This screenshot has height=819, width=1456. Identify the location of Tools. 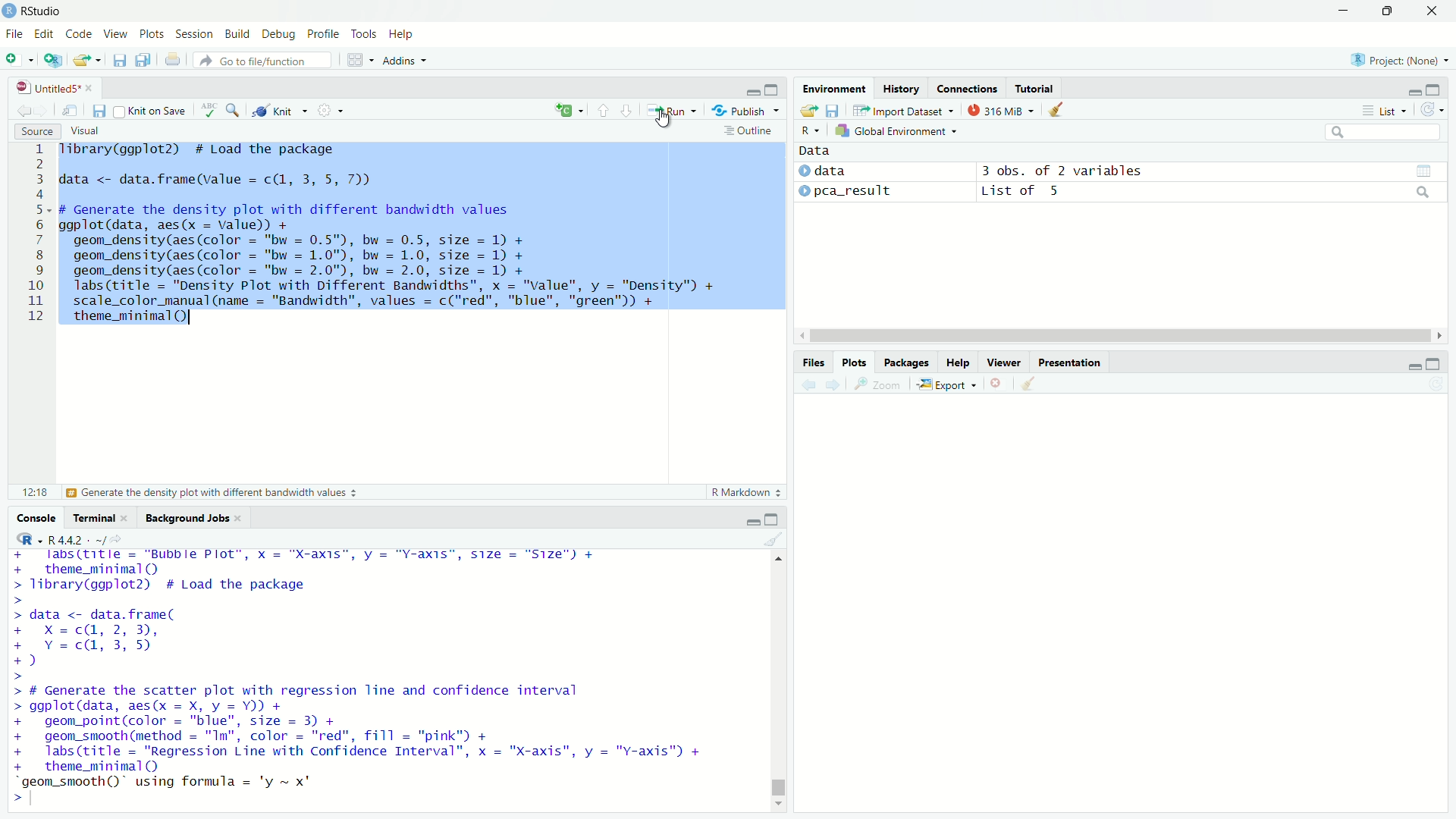
(364, 33).